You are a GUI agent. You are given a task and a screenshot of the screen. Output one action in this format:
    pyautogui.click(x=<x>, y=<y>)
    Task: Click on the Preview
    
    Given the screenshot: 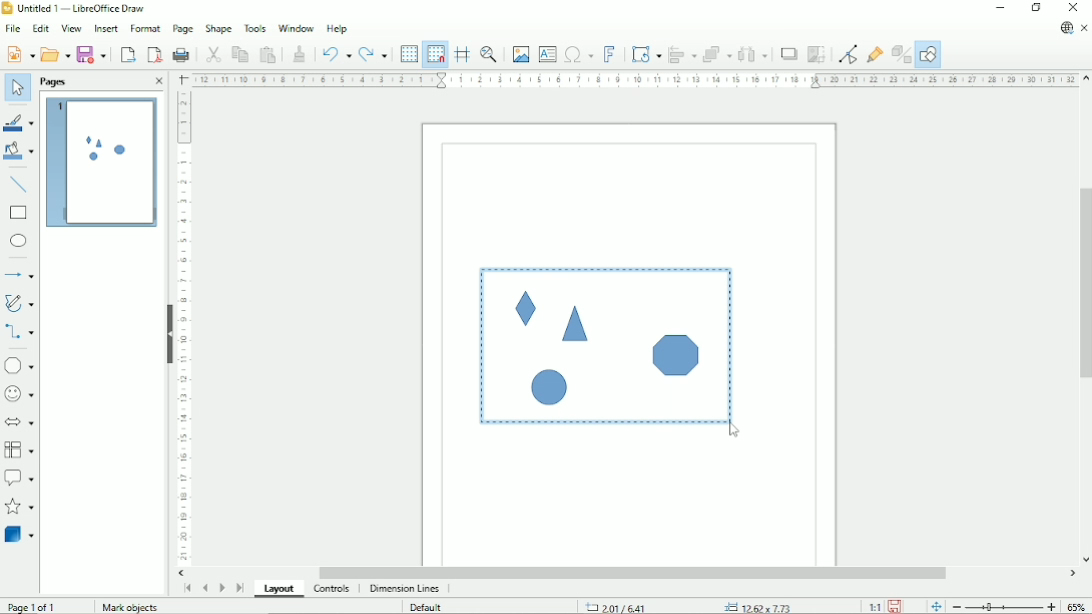 What is the action you would take?
    pyautogui.click(x=101, y=164)
    